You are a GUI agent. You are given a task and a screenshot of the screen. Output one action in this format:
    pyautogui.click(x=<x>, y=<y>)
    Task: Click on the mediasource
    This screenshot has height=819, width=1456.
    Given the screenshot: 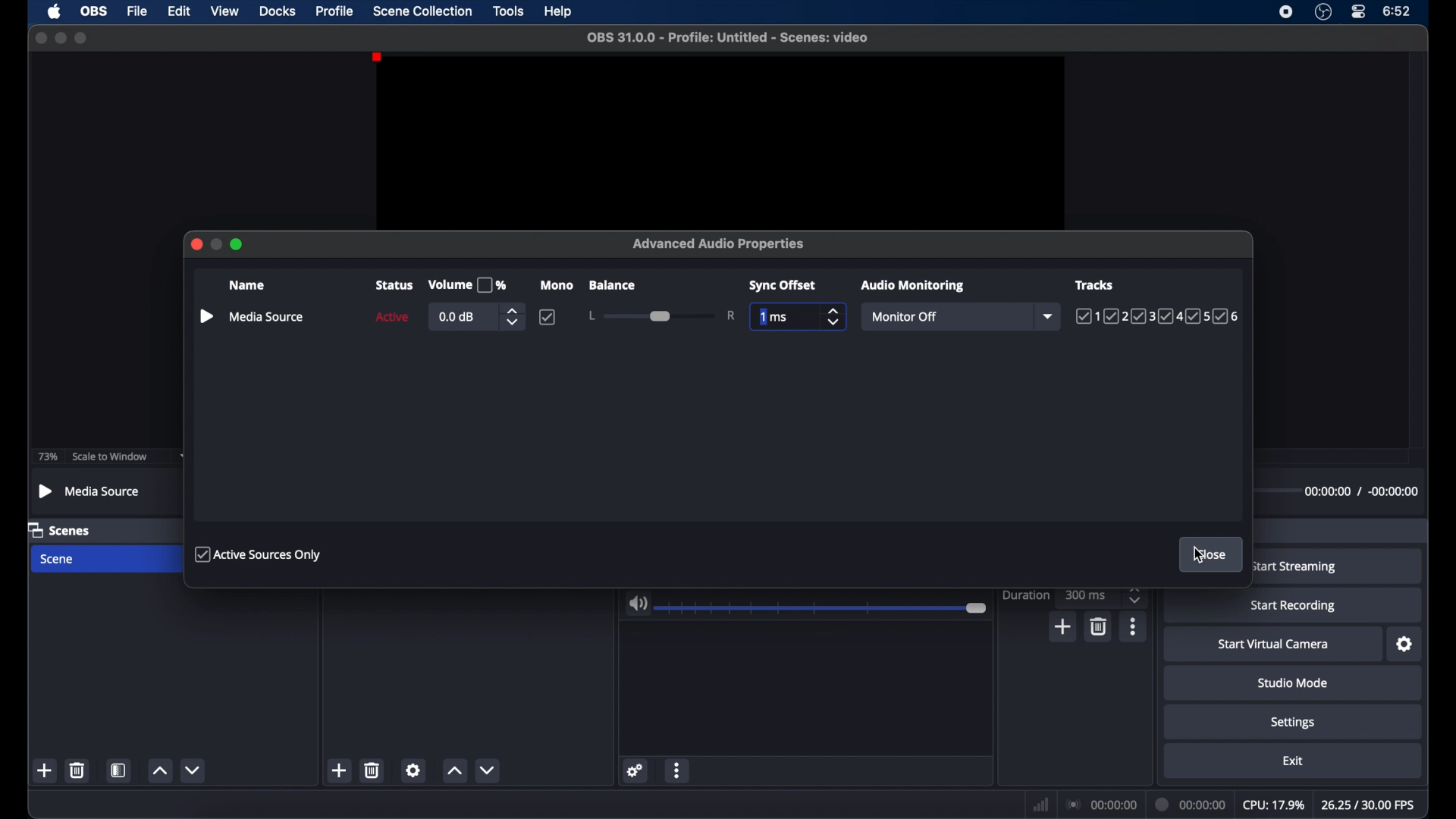 What is the action you would take?
    pyautogui.click(x=265, y=317)
    